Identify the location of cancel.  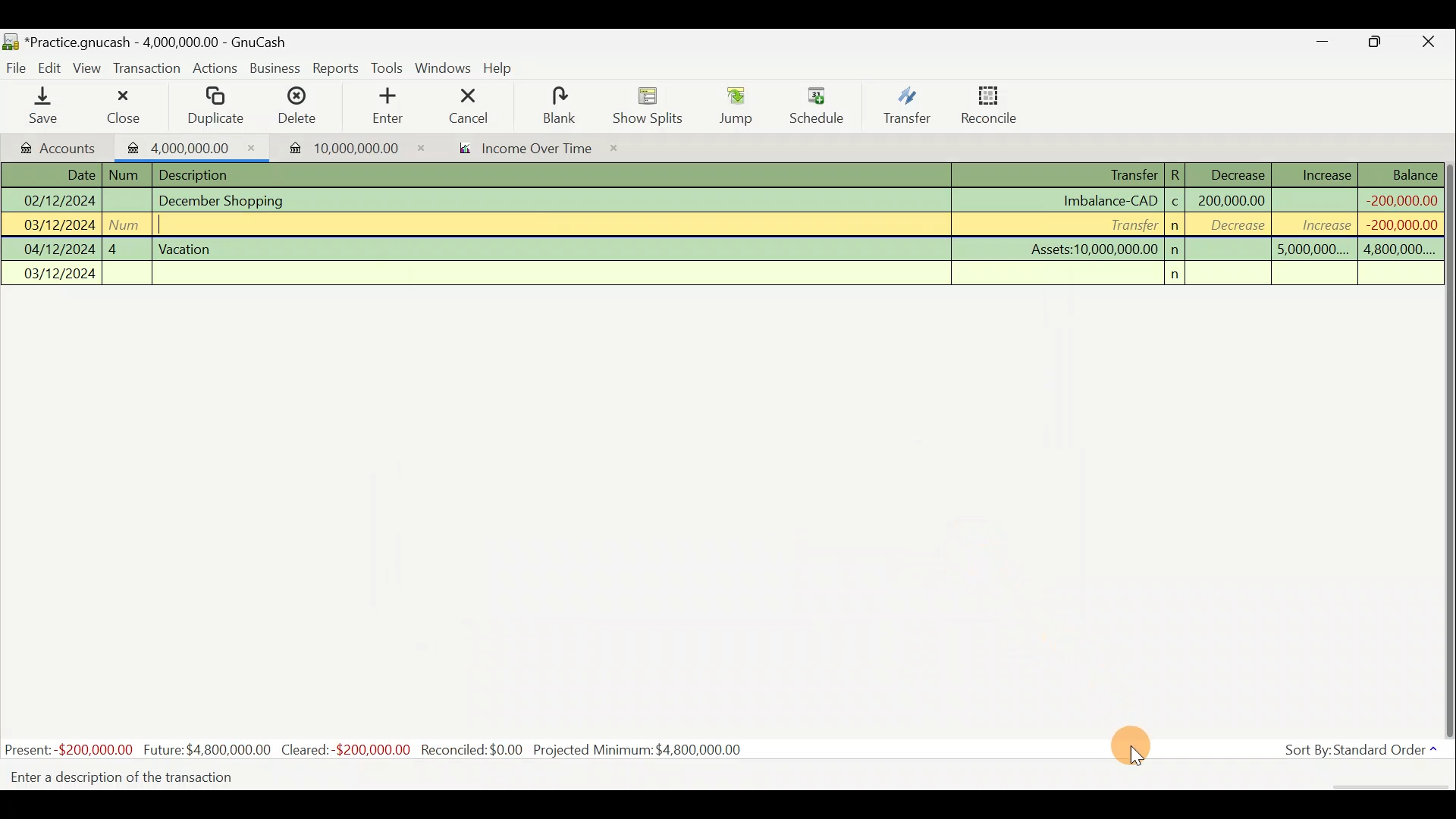
(485, 108).